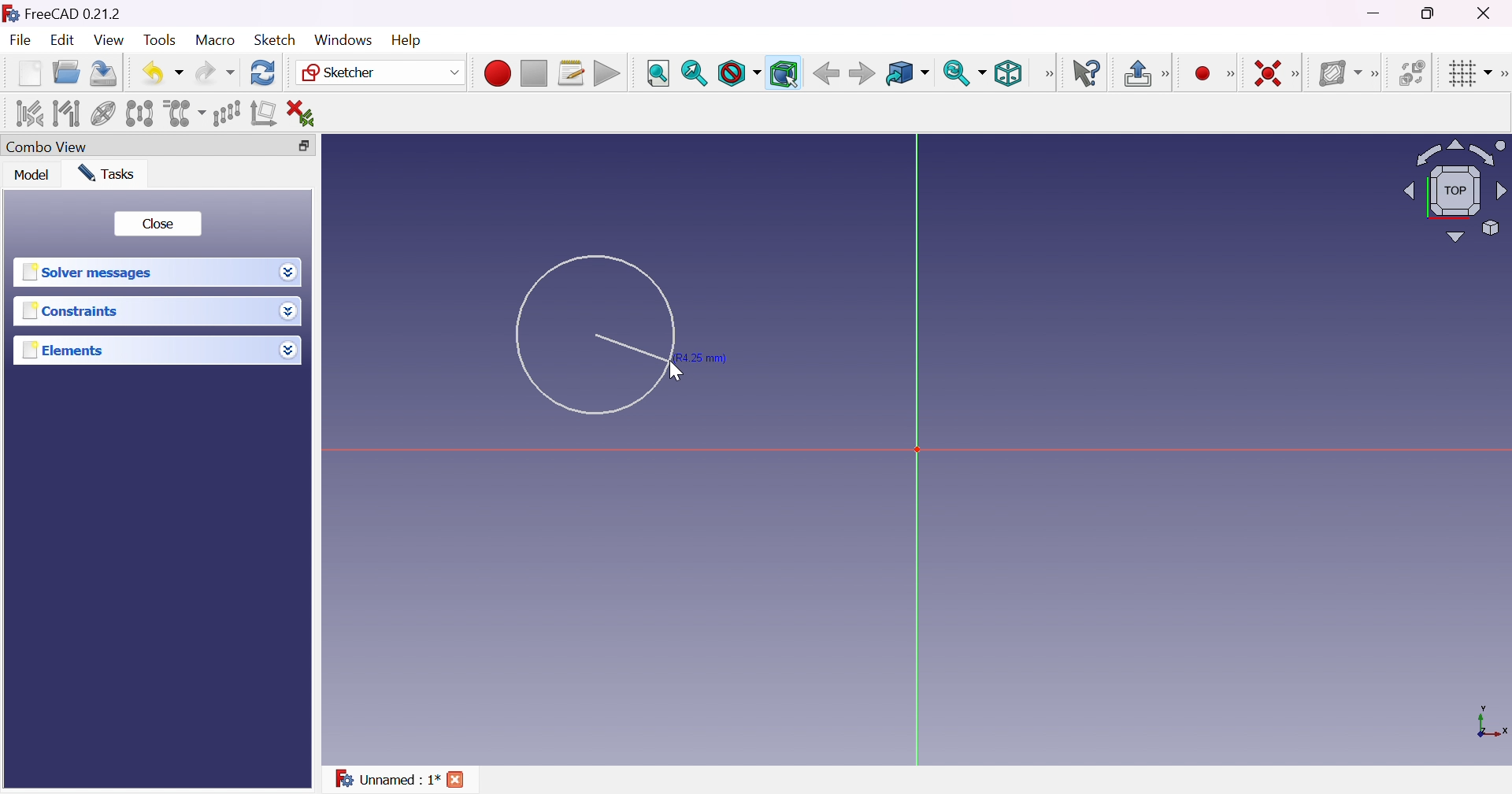  I want to click on Viewing angle, so click(1455, 190).